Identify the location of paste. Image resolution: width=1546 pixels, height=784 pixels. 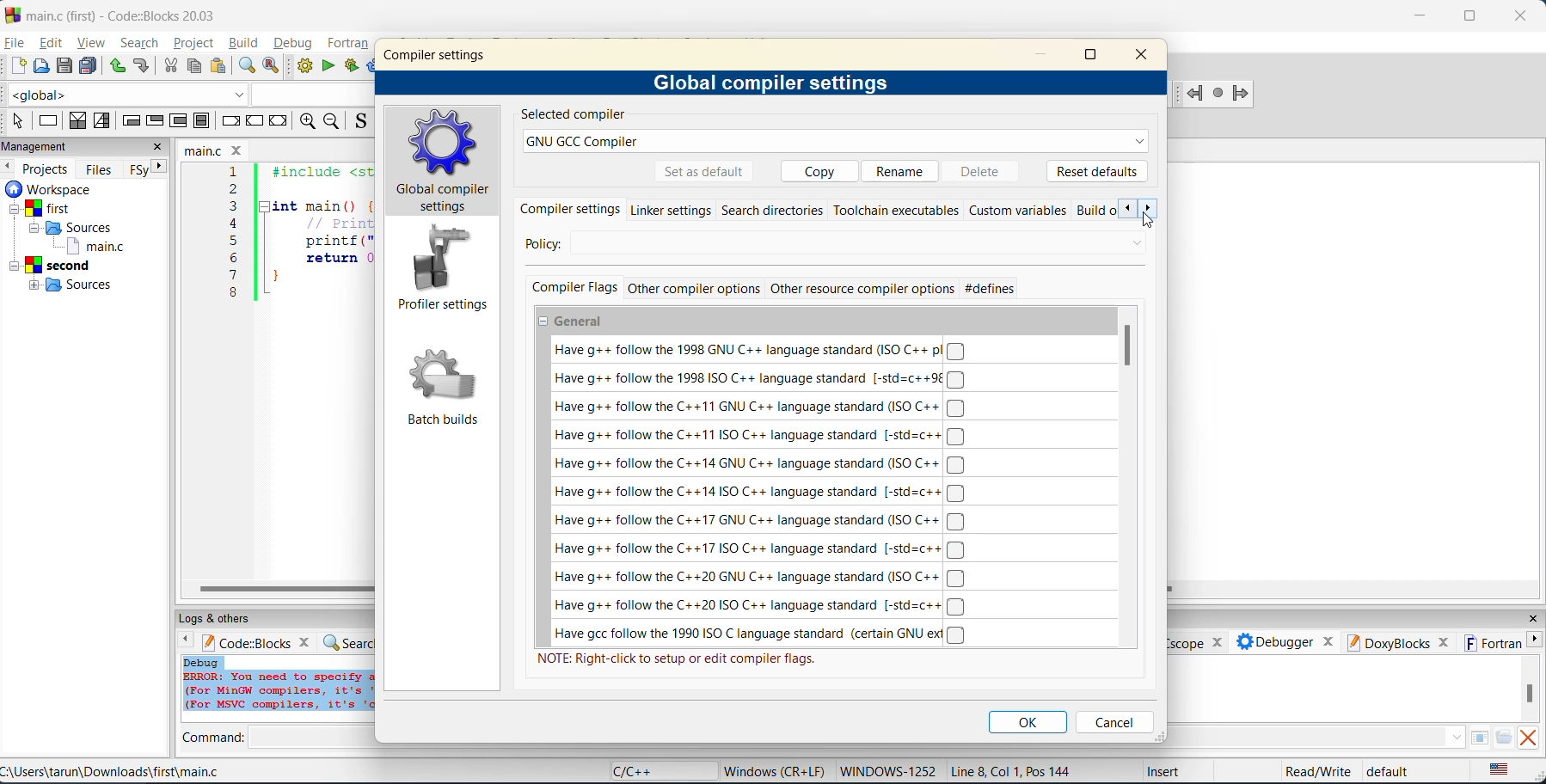
(220, 67).